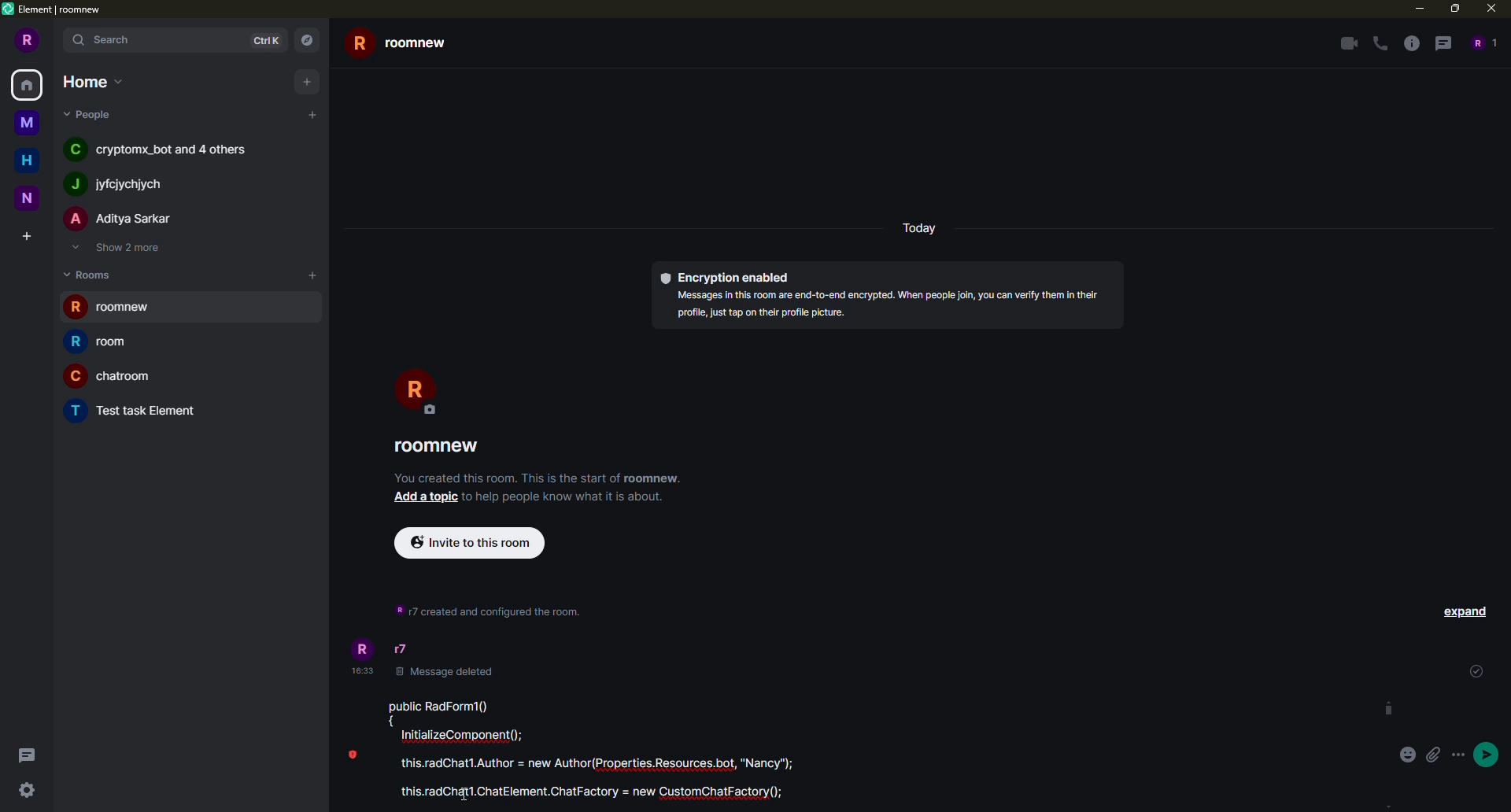  What do you see at coordinates (1453, 9) in the screenshot?
I see `maximize` at bounding box center [1453, 9].